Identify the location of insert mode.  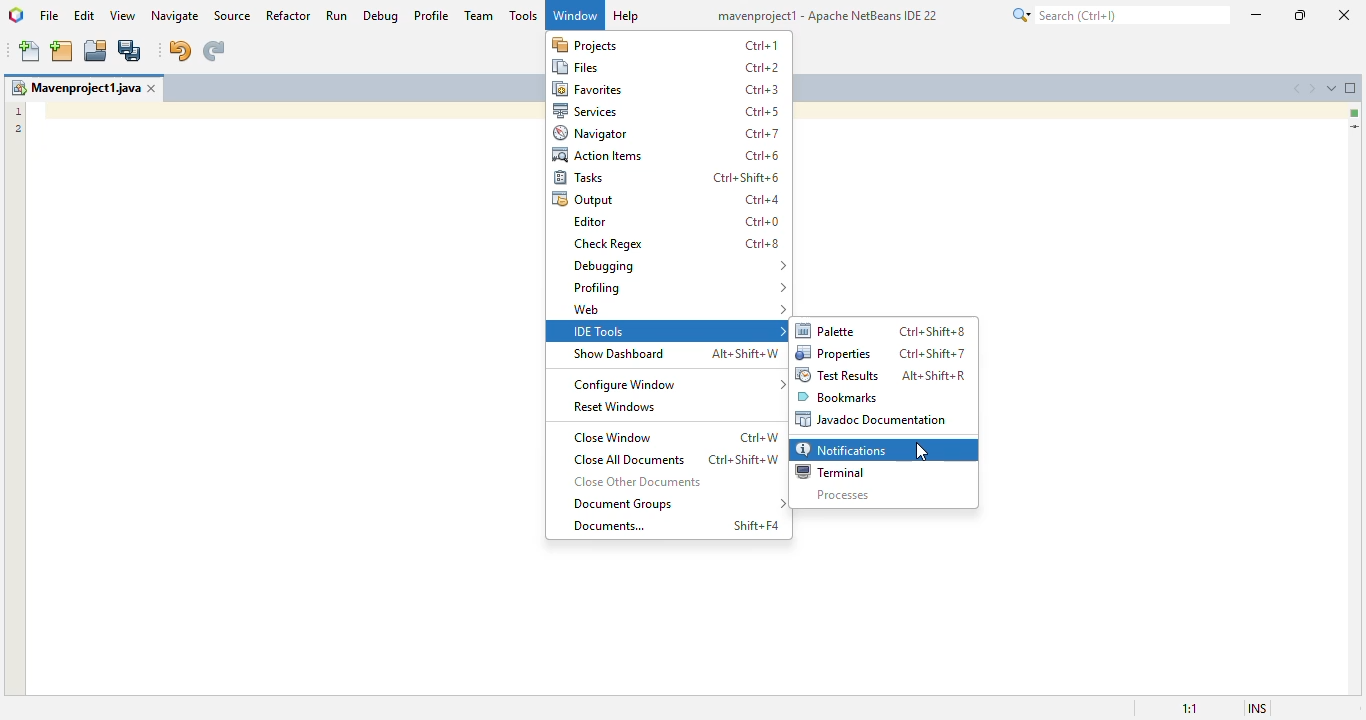
(1258, 709).